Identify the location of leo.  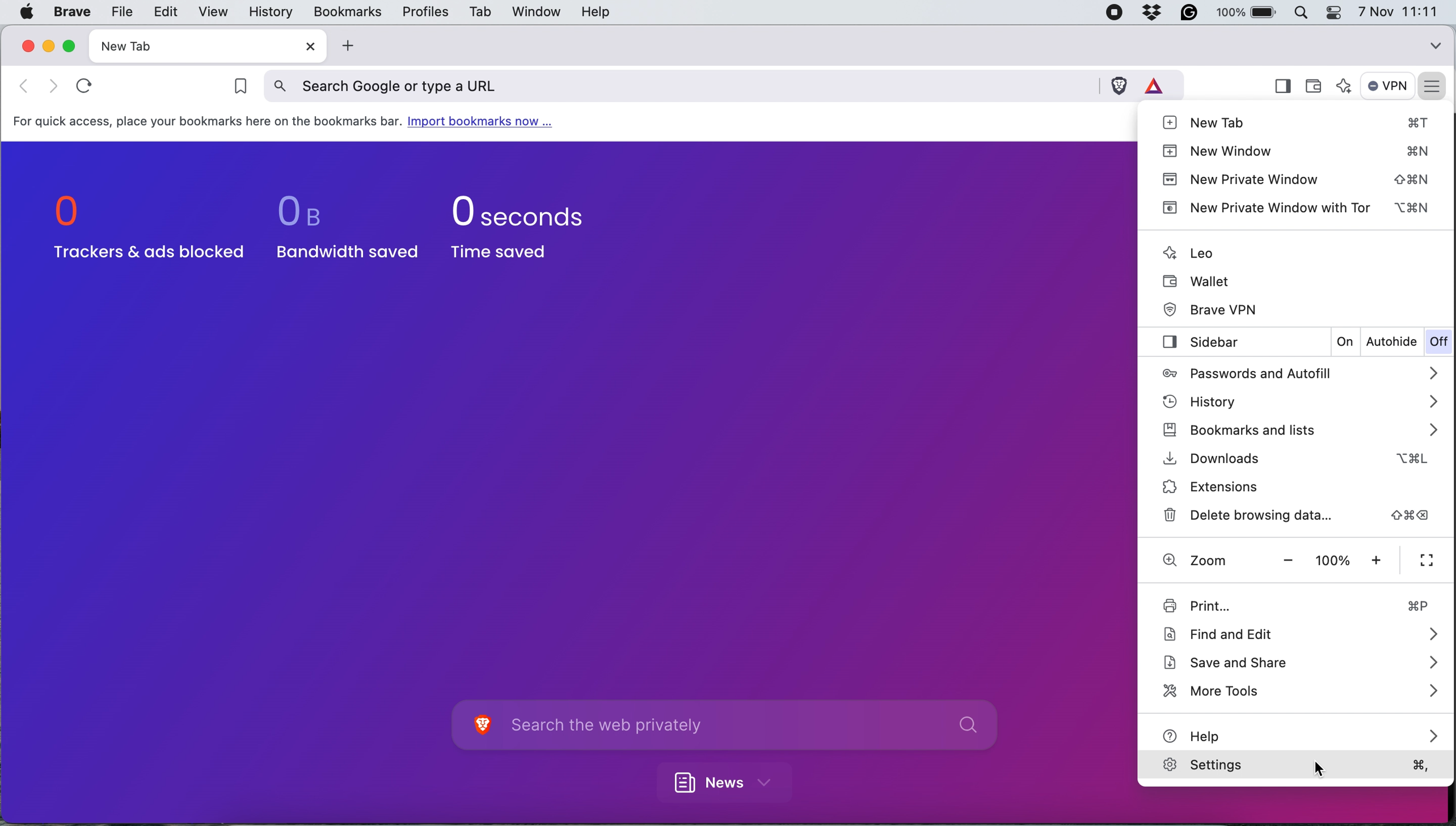
(1191, 252).